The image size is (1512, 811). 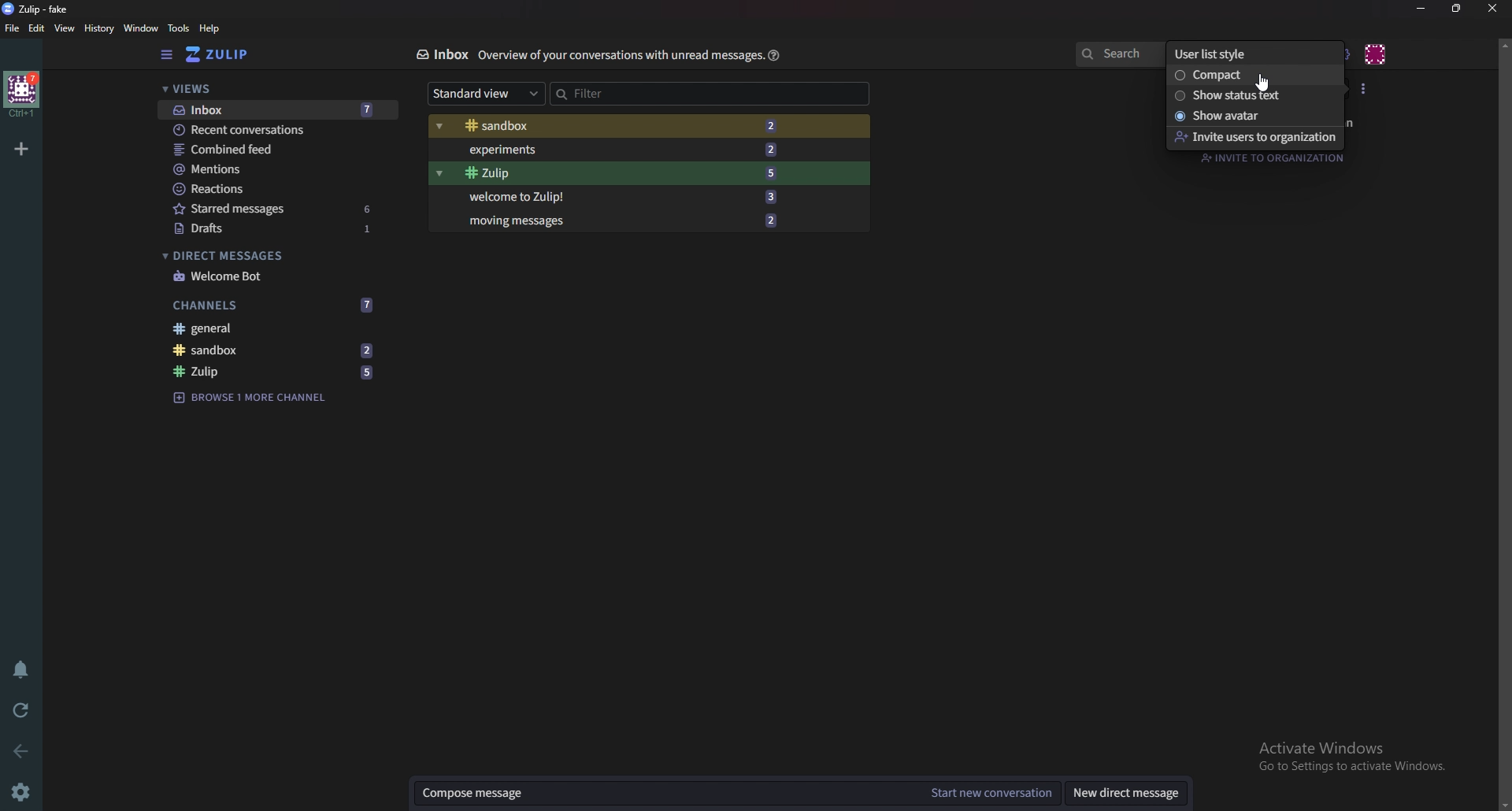 What do you see at coordinates (272, 328) in the screenshot?
I see `General` at bounding box center [272, 328].